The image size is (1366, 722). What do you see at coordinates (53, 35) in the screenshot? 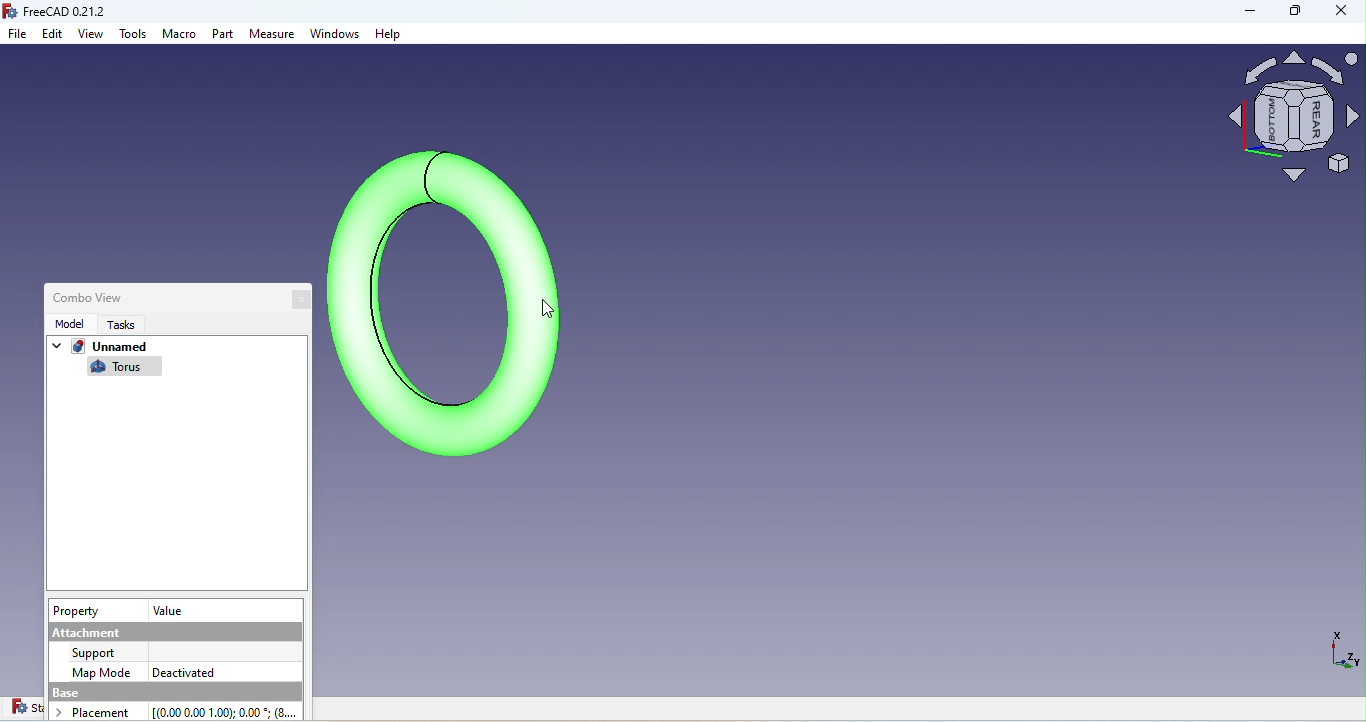
I see `Edit` at bounding box center [53, 35].